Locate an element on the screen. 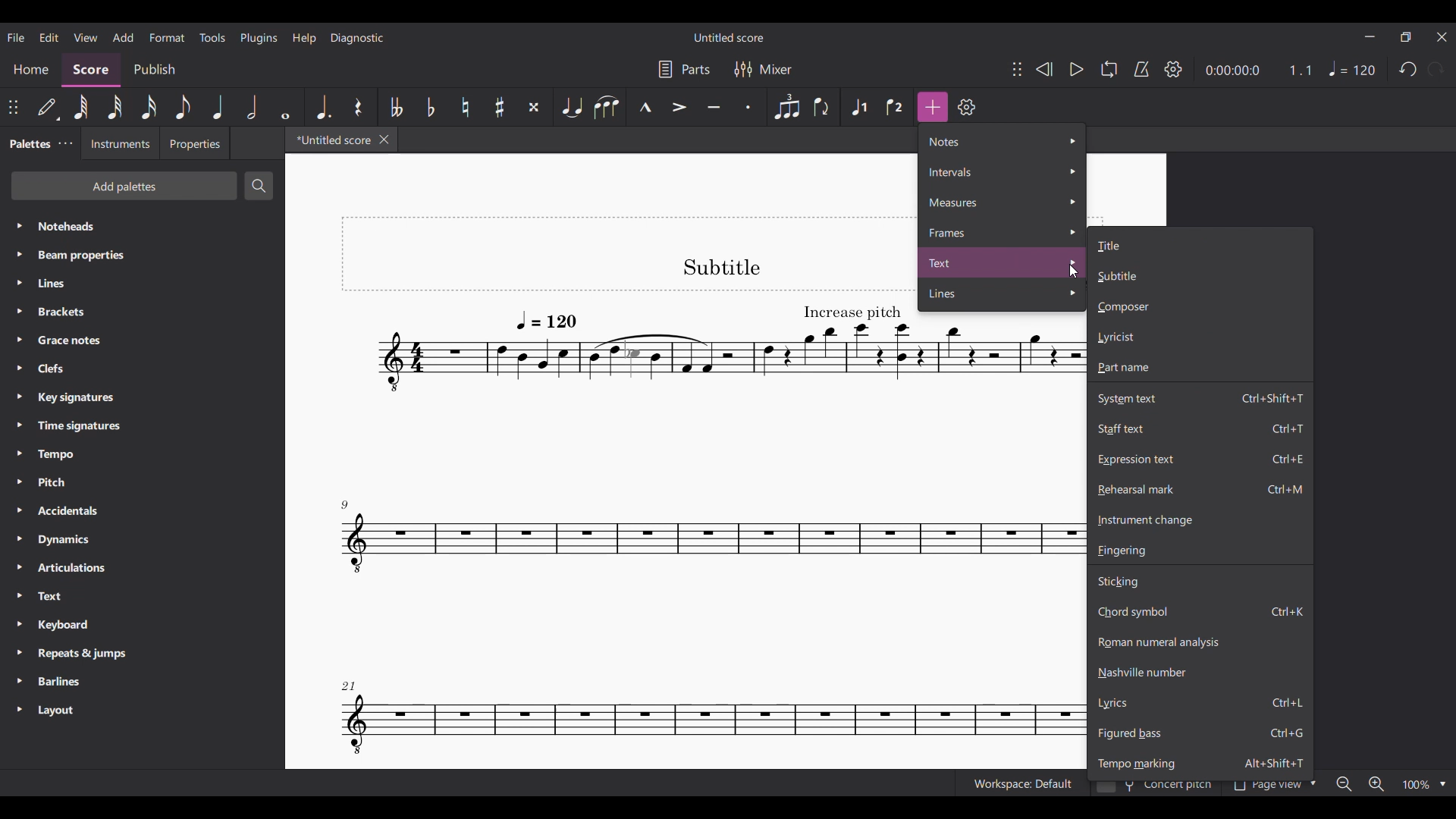  Plugins meu is located at coordinates (259, 38).